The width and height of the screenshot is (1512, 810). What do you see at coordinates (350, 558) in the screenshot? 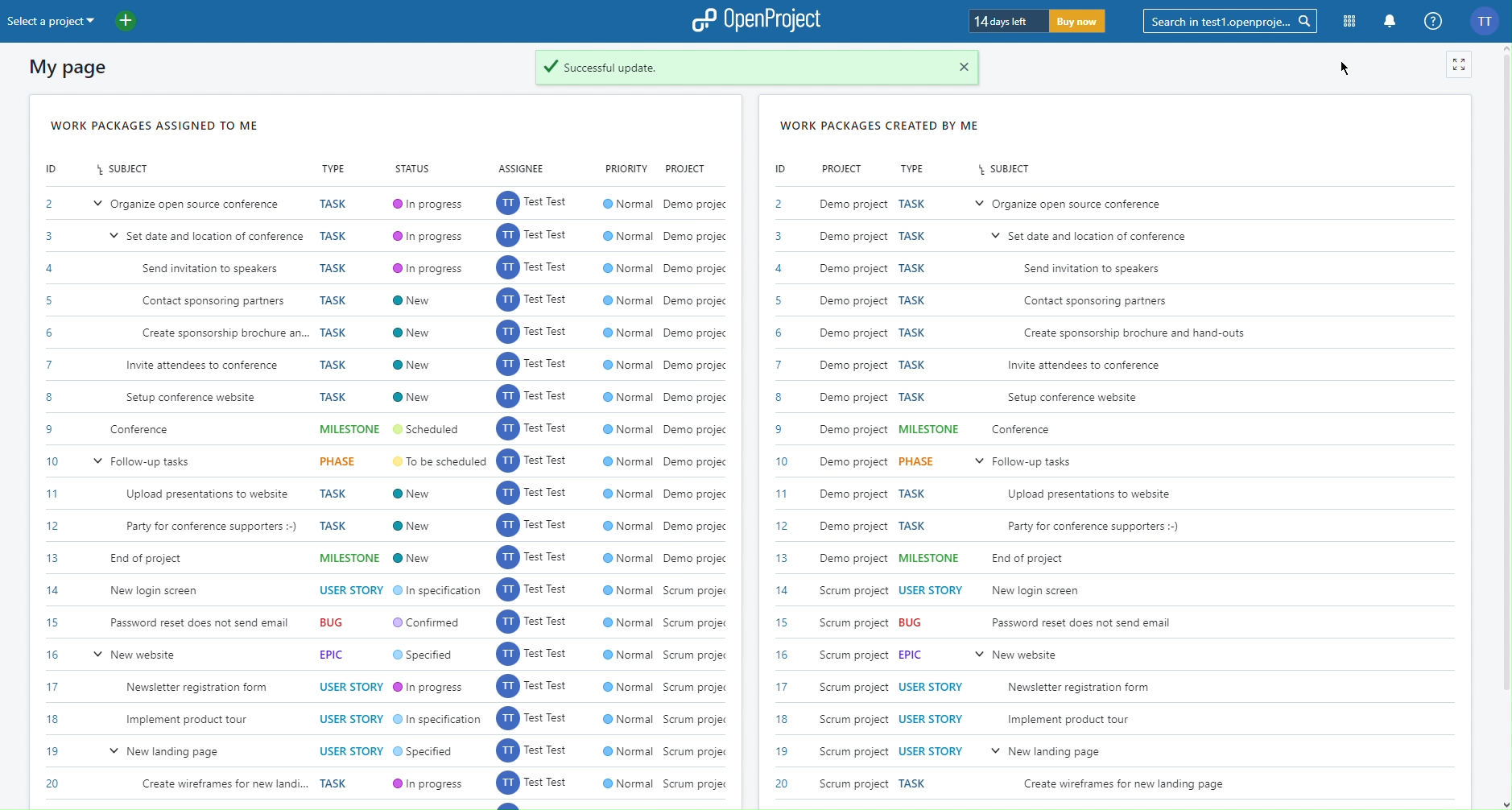
I see `Milestone` at bounding box center [350, 558].